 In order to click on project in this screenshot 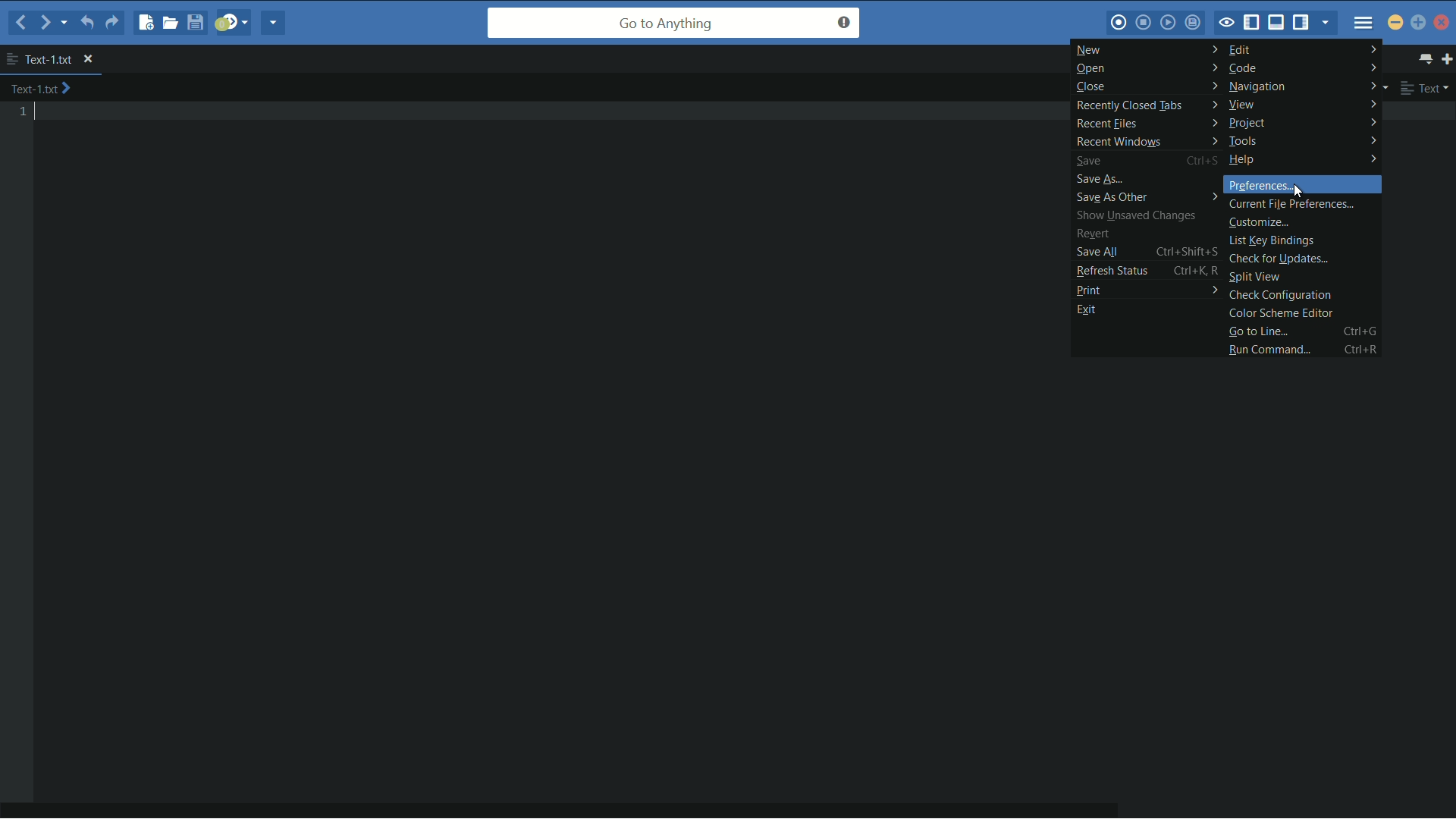, I will do `click(1302, 123)`.